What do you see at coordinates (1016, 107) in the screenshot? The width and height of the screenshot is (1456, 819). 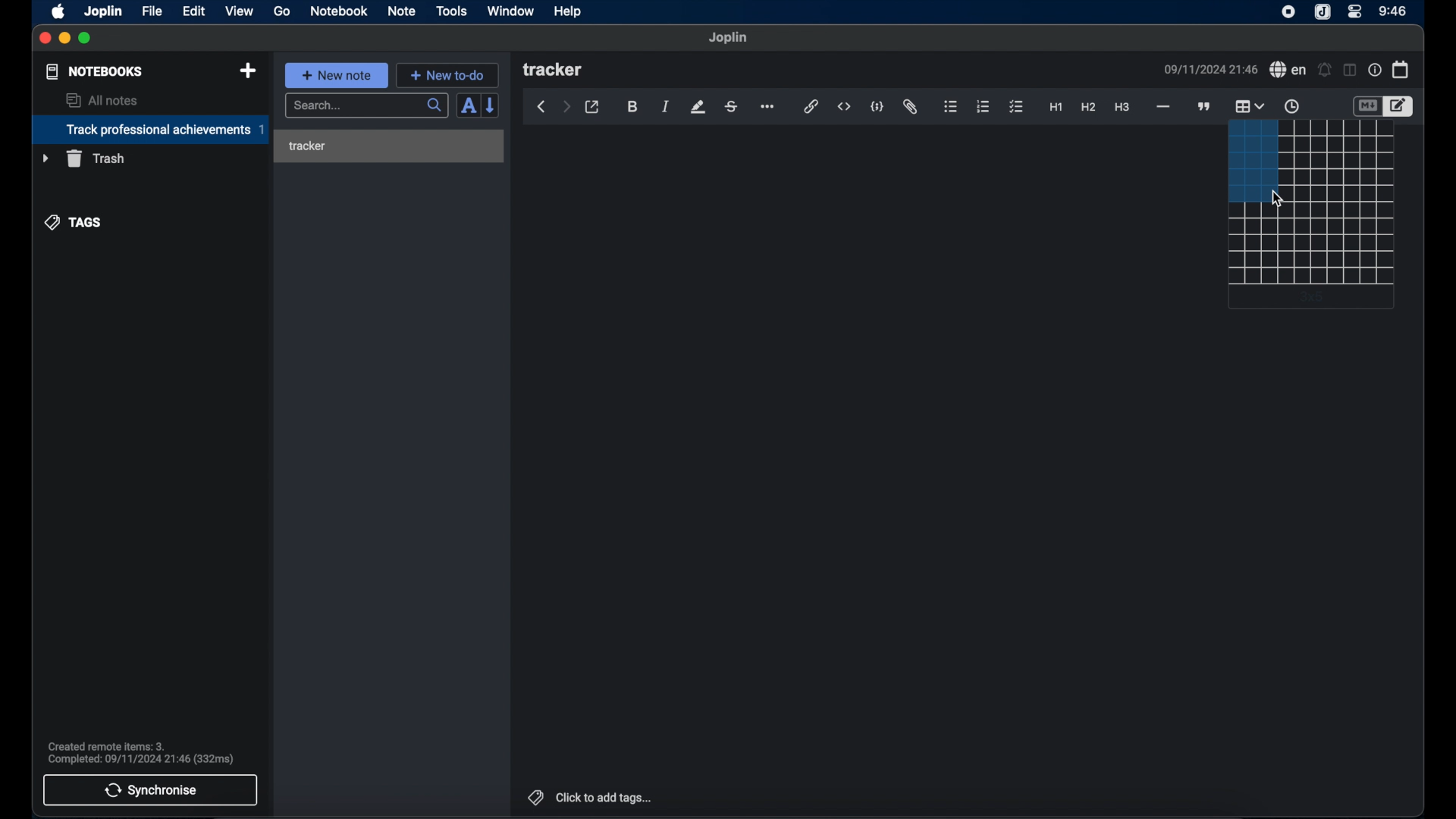 I see `checklist` at bounding box center [1016, 107].